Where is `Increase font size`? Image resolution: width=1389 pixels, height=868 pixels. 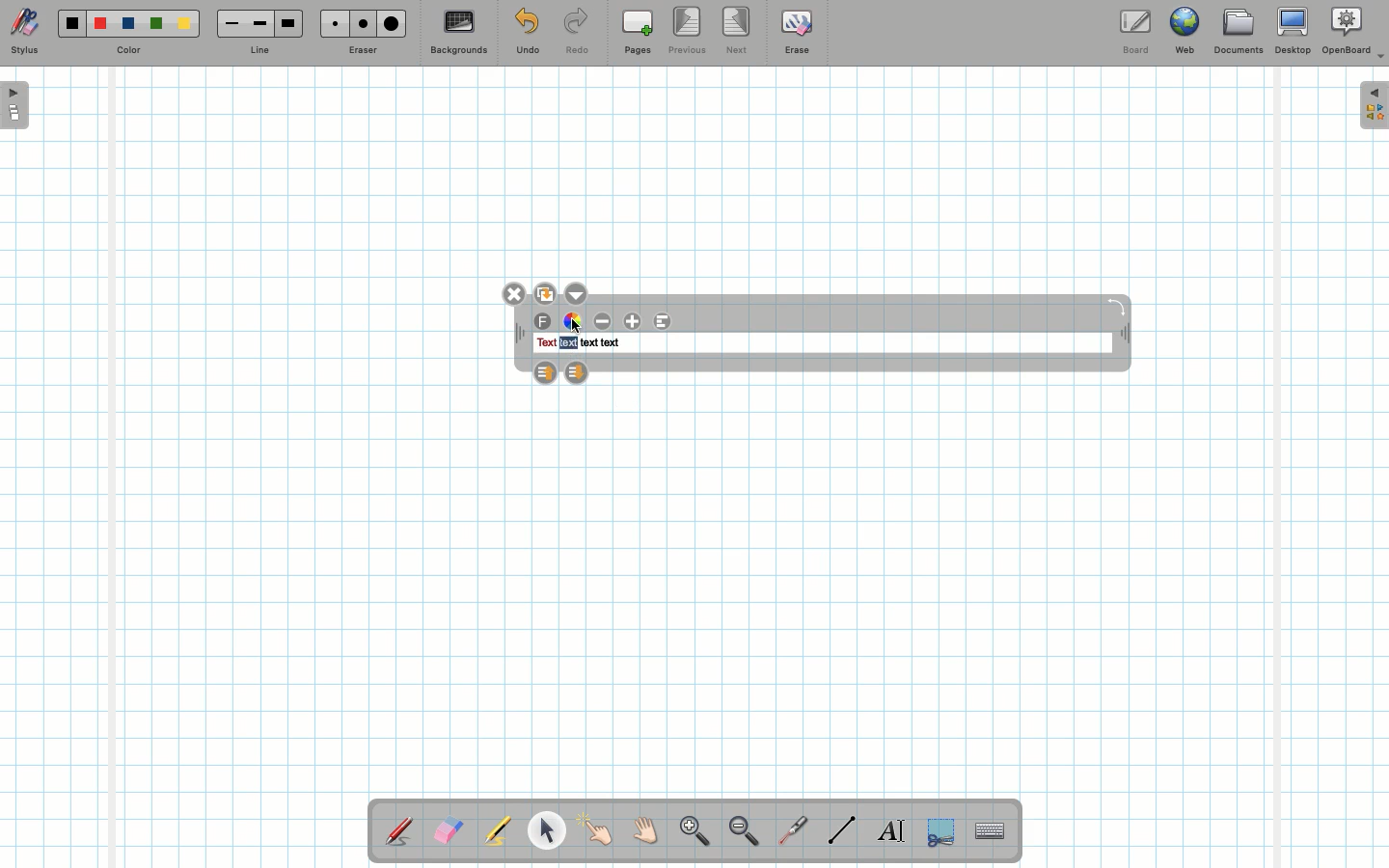
Increase font size is located at coordinates (635, 321).